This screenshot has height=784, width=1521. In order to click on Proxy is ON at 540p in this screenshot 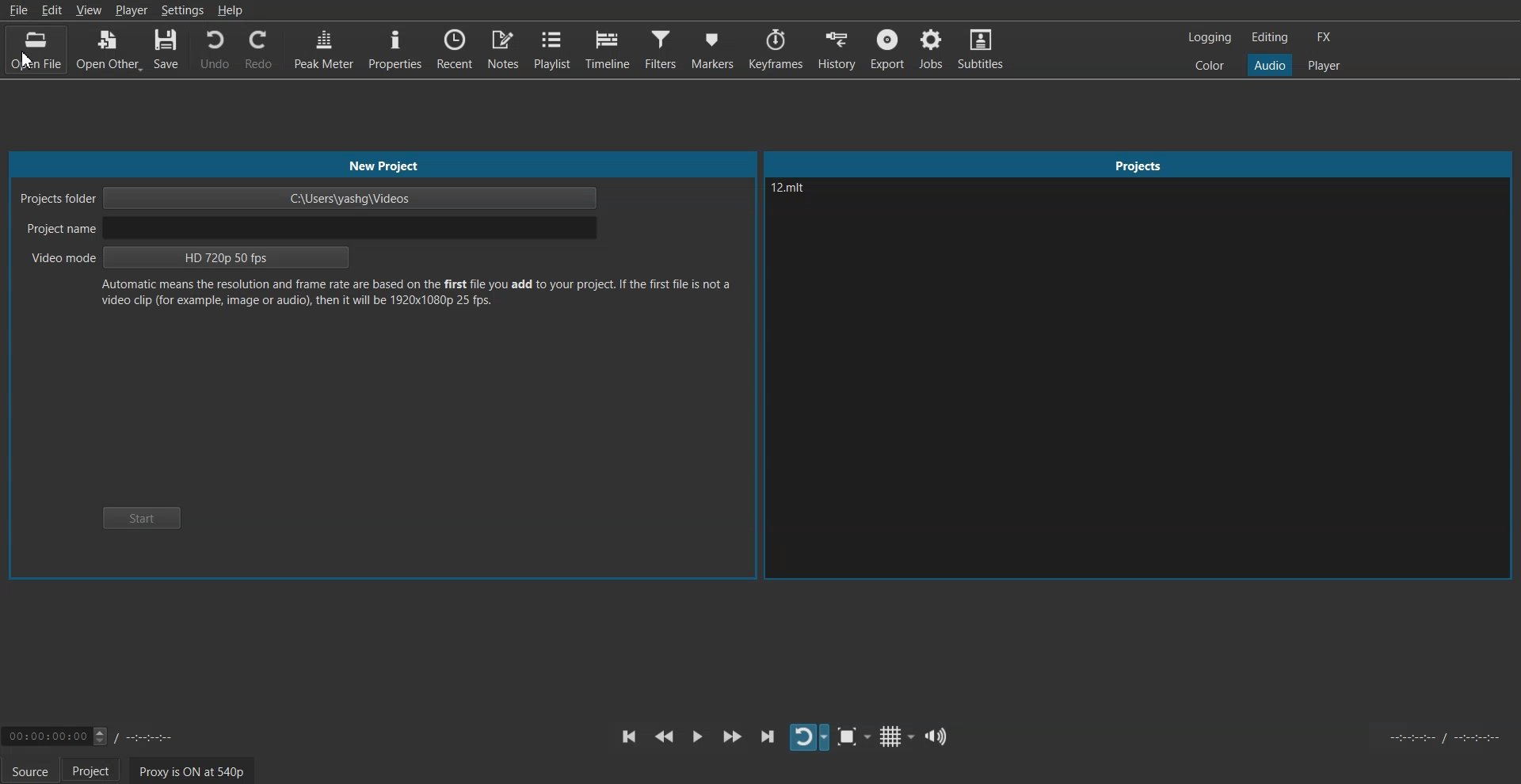, I will do `click(193, 771)`.